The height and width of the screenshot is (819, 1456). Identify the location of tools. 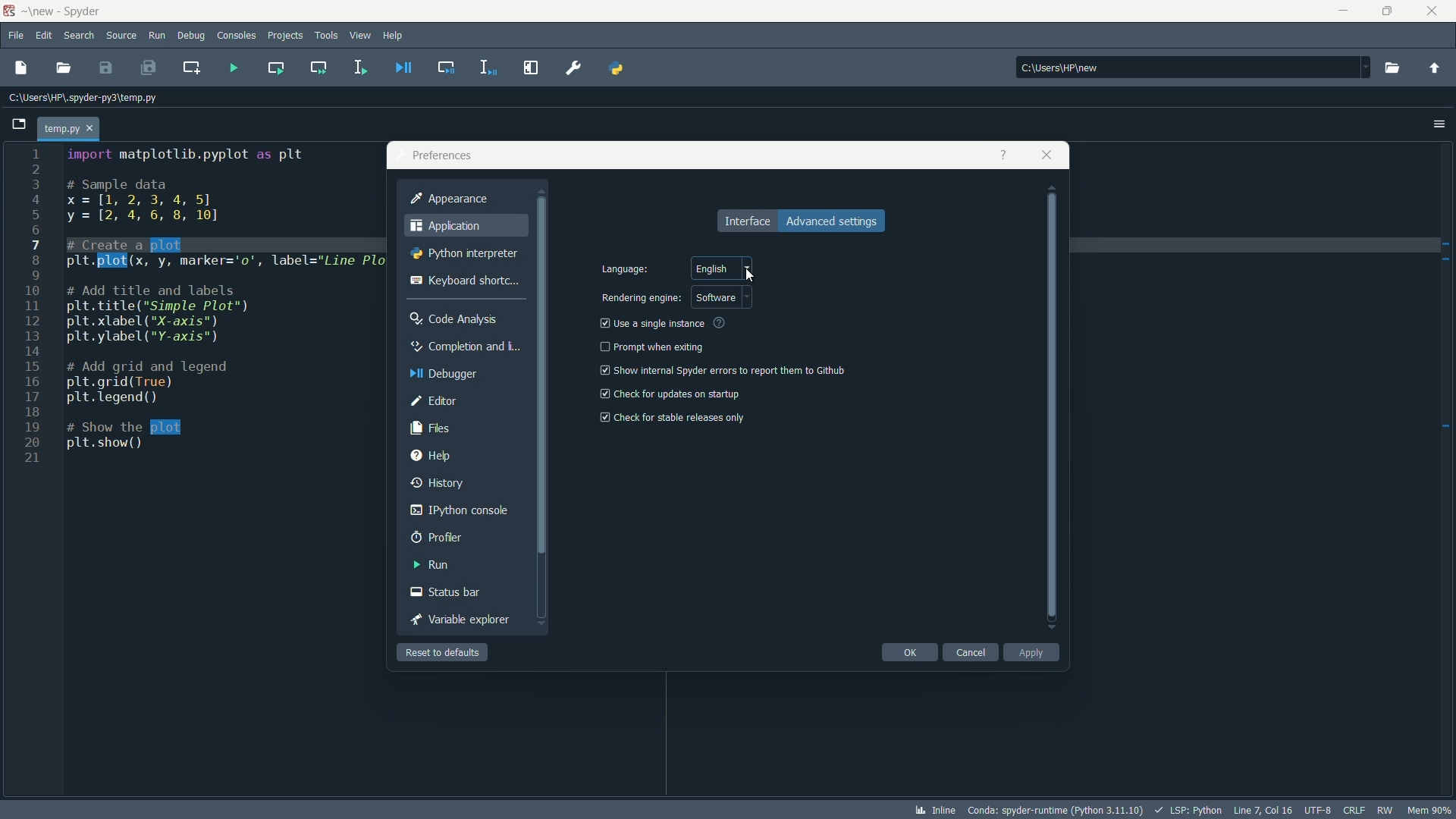
(327, 36).